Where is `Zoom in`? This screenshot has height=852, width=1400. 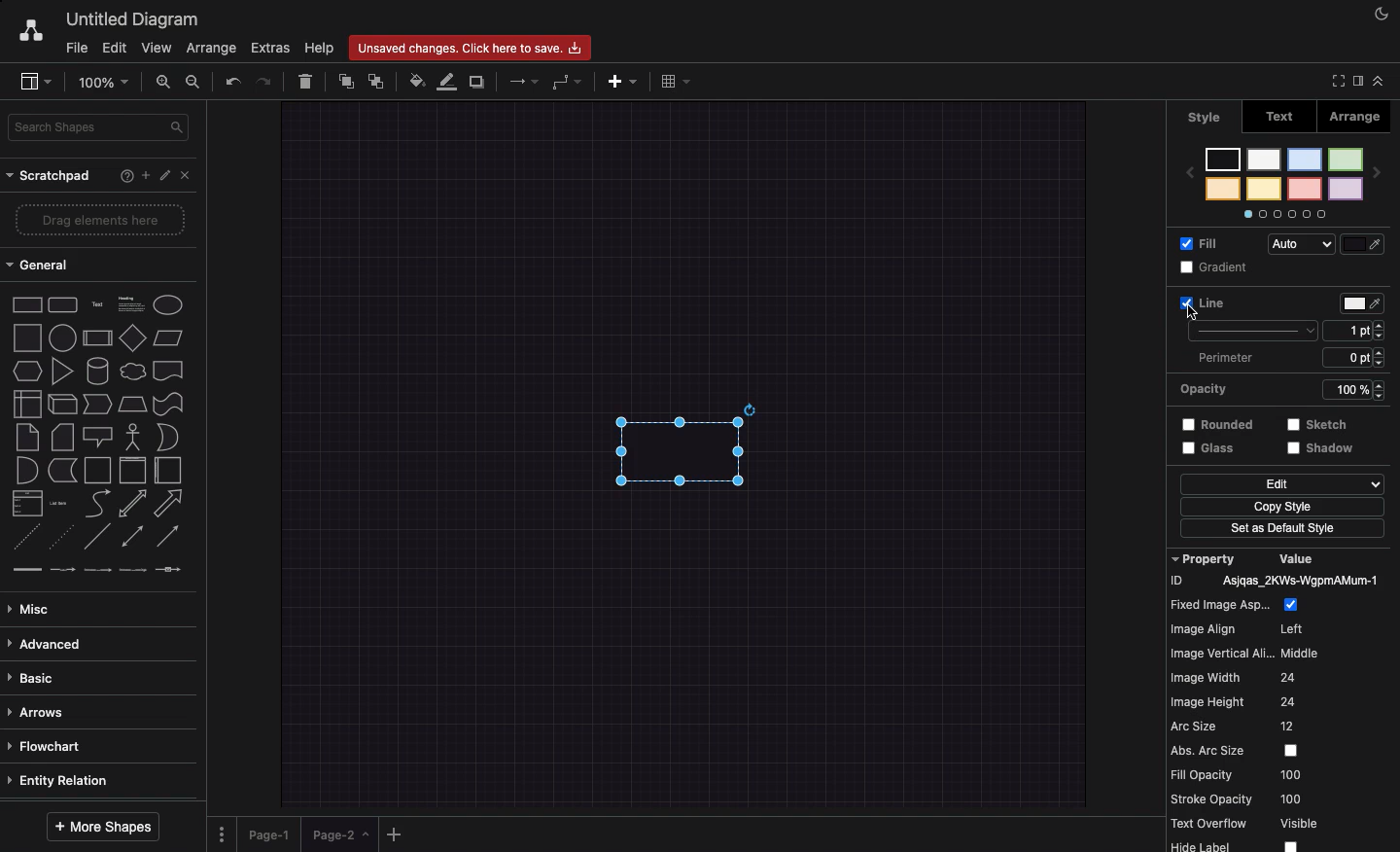
Zoom in is located at coordinates (166, 86).